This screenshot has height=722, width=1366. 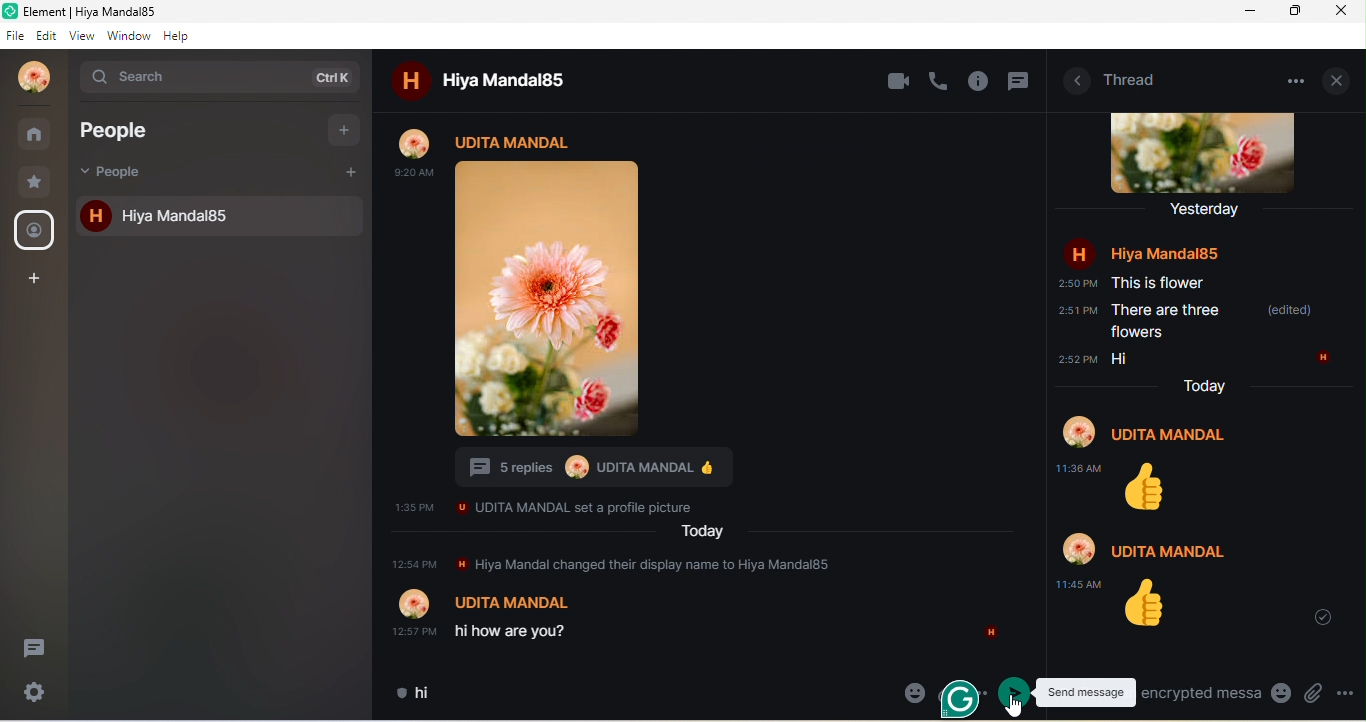 I want to click on edit, so click(x=47, y=35).